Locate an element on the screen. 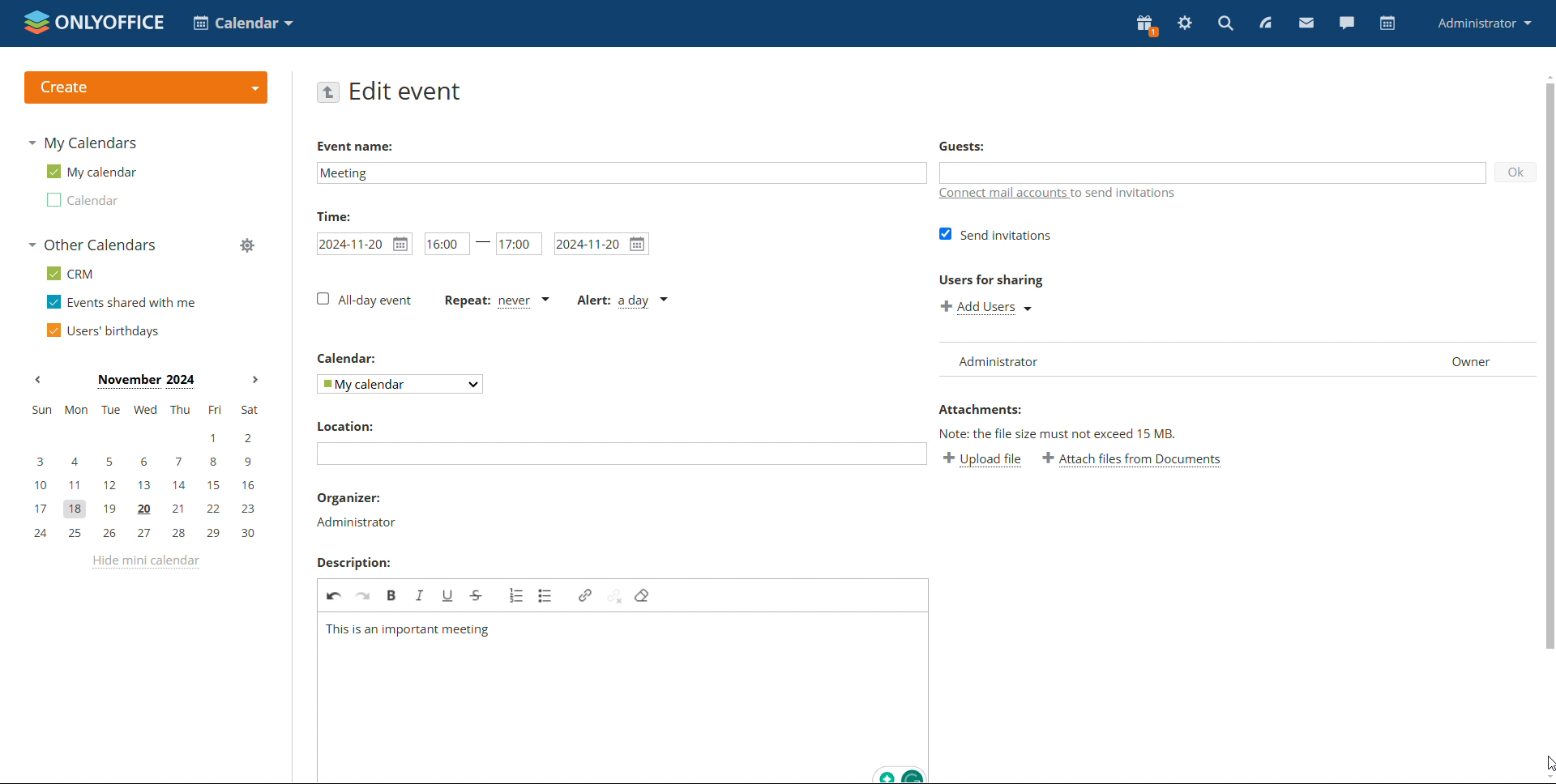 Image resolution: width=1556 pixels, height=784 pixels. event name is located at coordinates (355, 146).